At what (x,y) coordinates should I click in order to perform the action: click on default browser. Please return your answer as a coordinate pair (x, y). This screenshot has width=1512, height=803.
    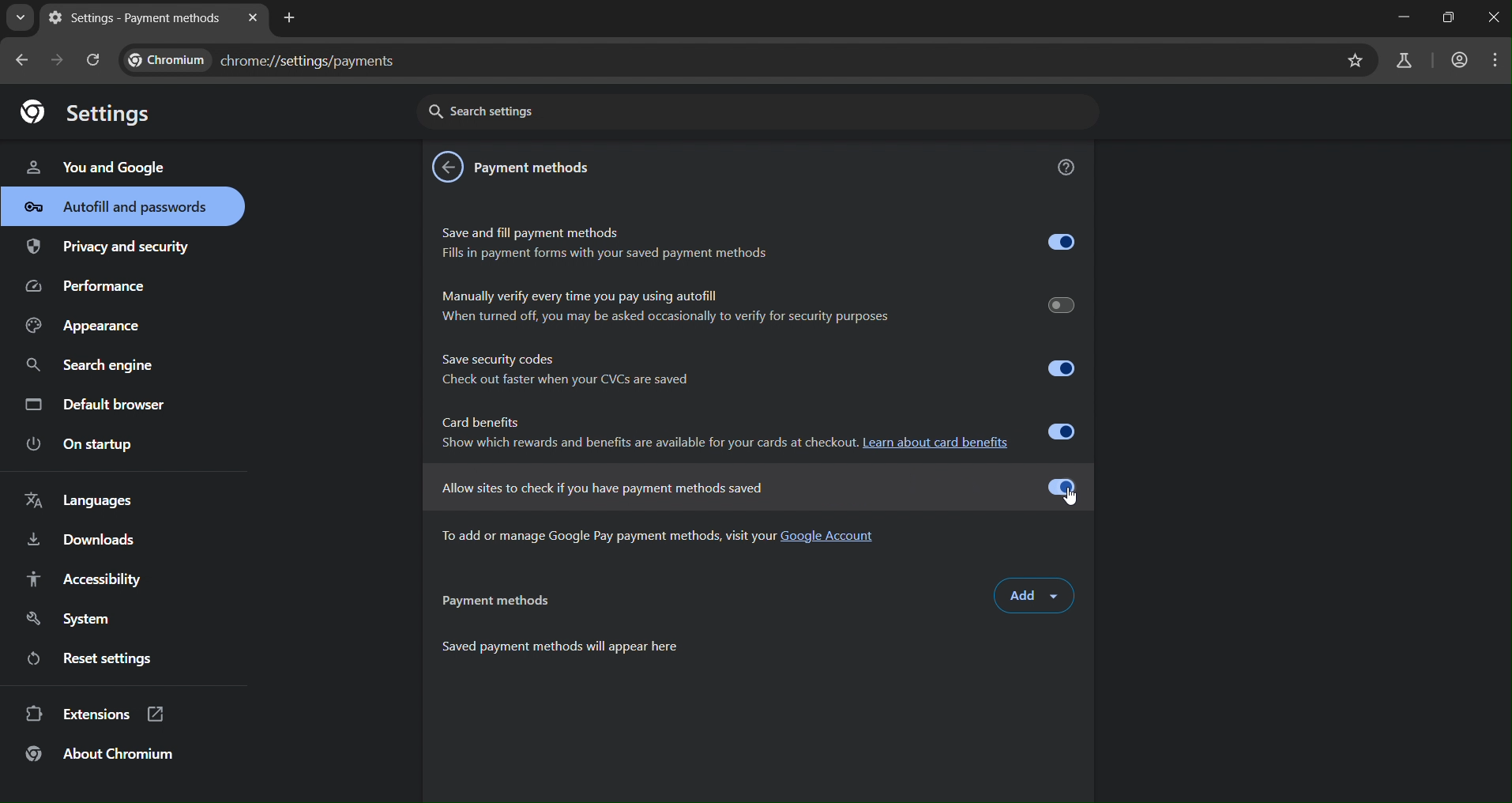
    Looking at the image, I should click on (92, 403).